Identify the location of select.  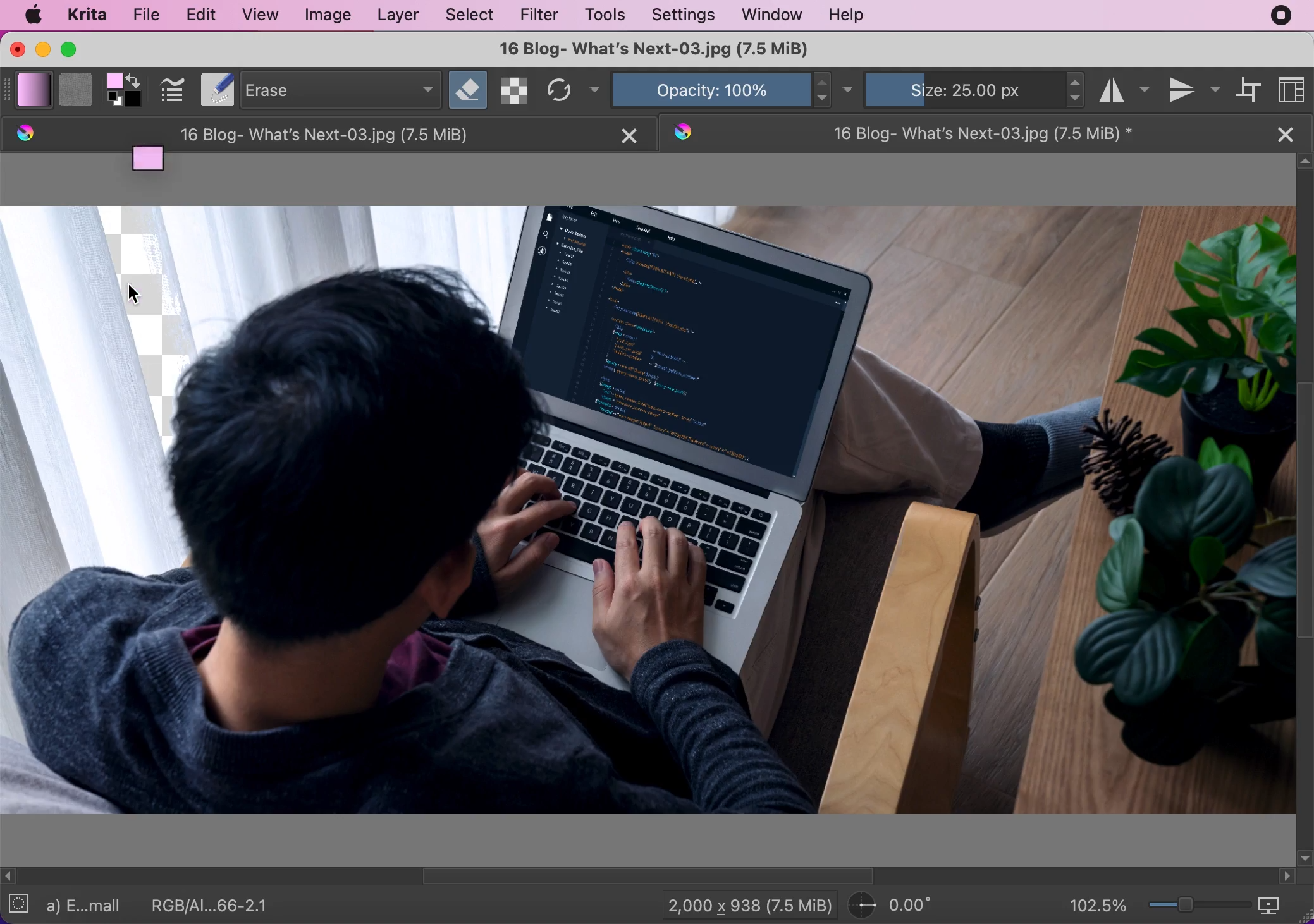
(473, 15).